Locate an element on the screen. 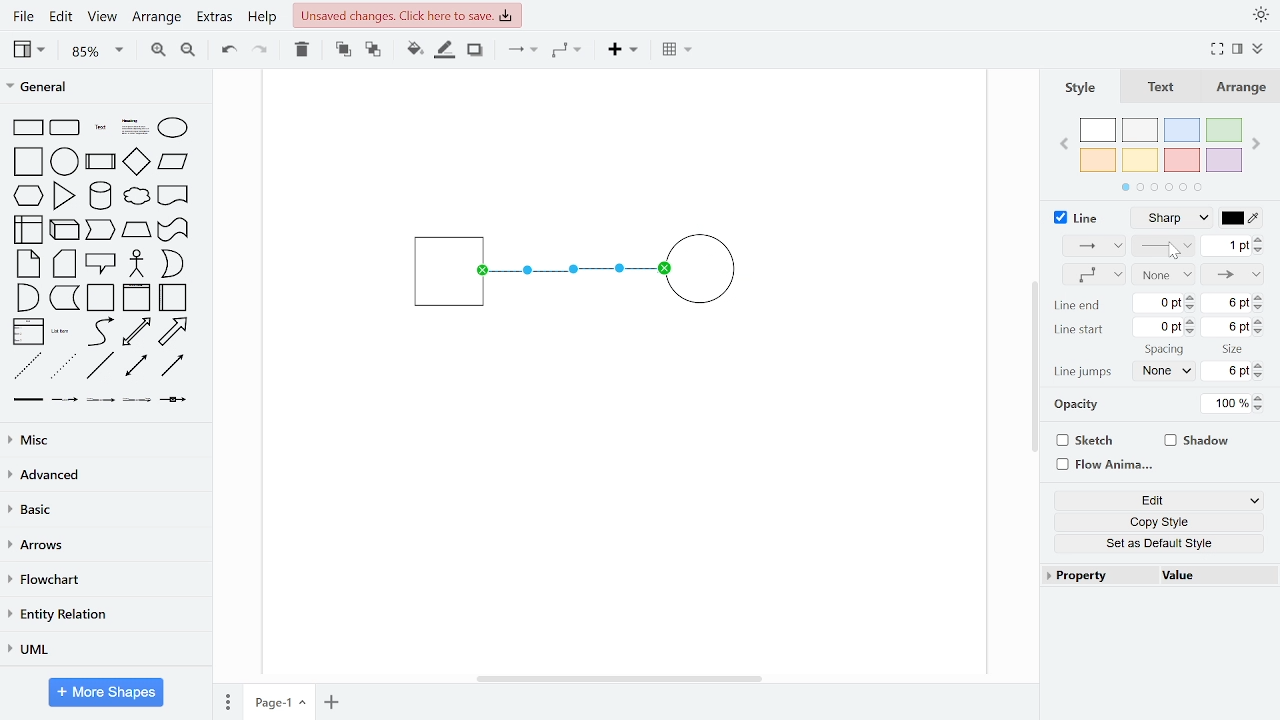 This screenshot has height=720, width=1280. arrows is located at coordinates (103, 546).